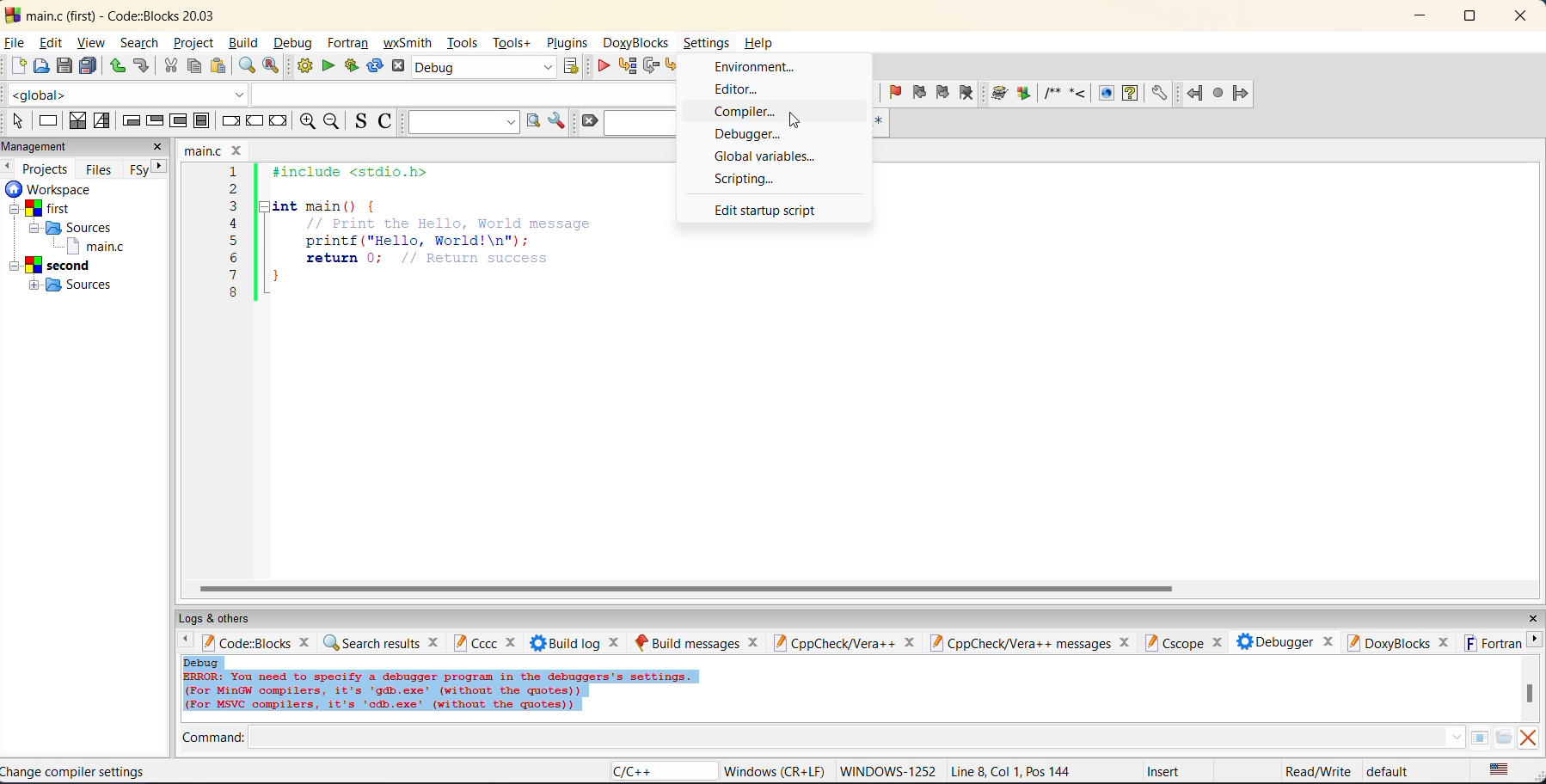 Image resolution: width=1546 pixels, height=784 pixels. I want to click on zoom out, so click(334, 122).